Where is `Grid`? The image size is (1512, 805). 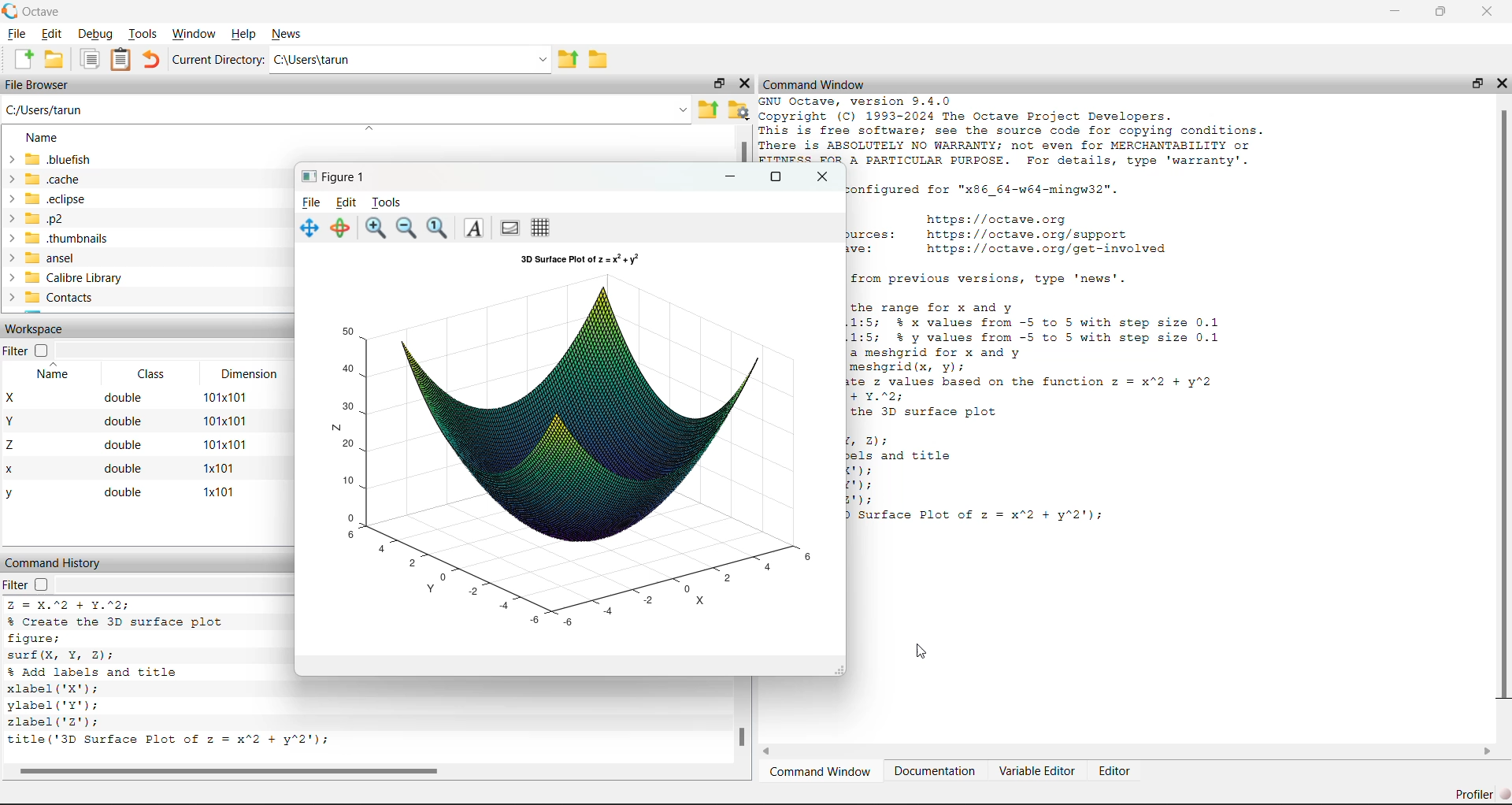
Grid is located at coordinates (541, 227).